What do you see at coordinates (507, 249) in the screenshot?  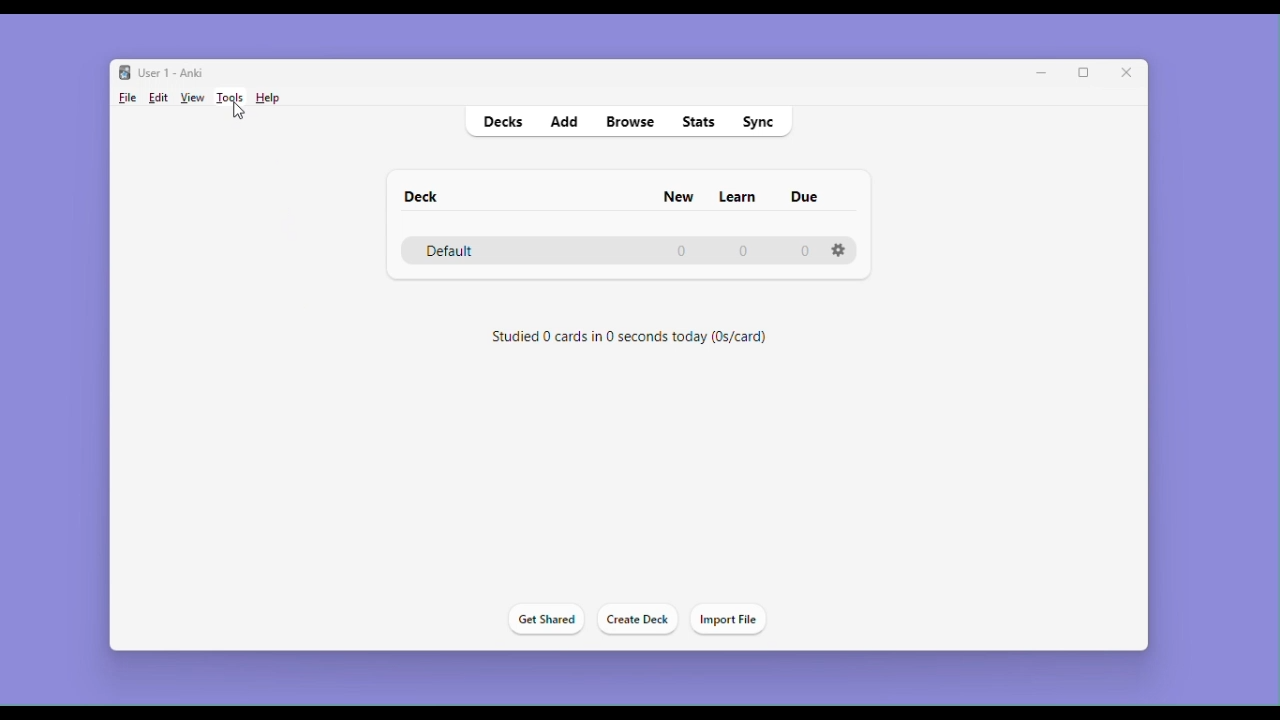 I see `Default` at bounding box center [507, 249].